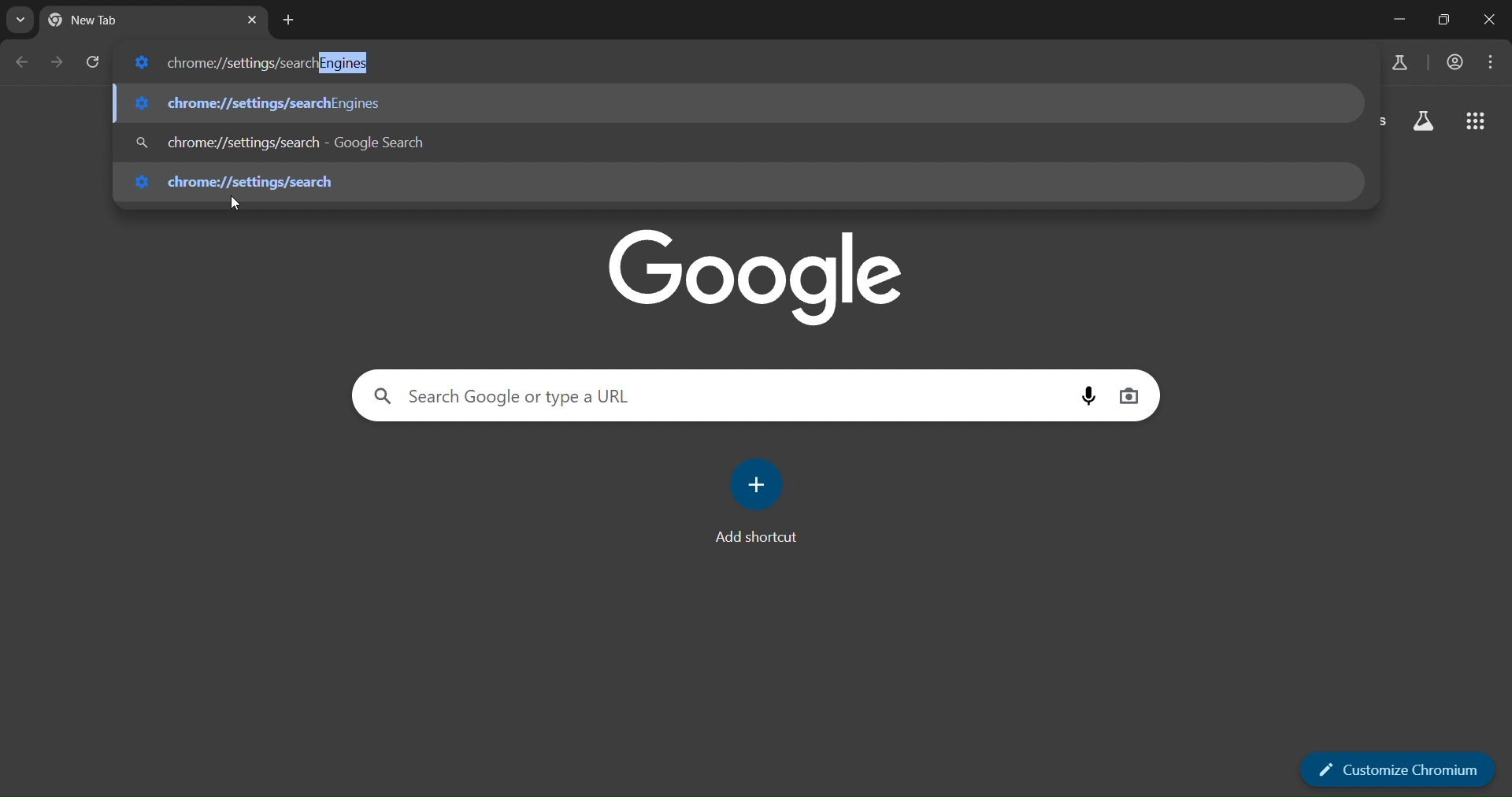 The width and height of the screenshot is (1512, 797). I want to click on account, so click(1455, 65).